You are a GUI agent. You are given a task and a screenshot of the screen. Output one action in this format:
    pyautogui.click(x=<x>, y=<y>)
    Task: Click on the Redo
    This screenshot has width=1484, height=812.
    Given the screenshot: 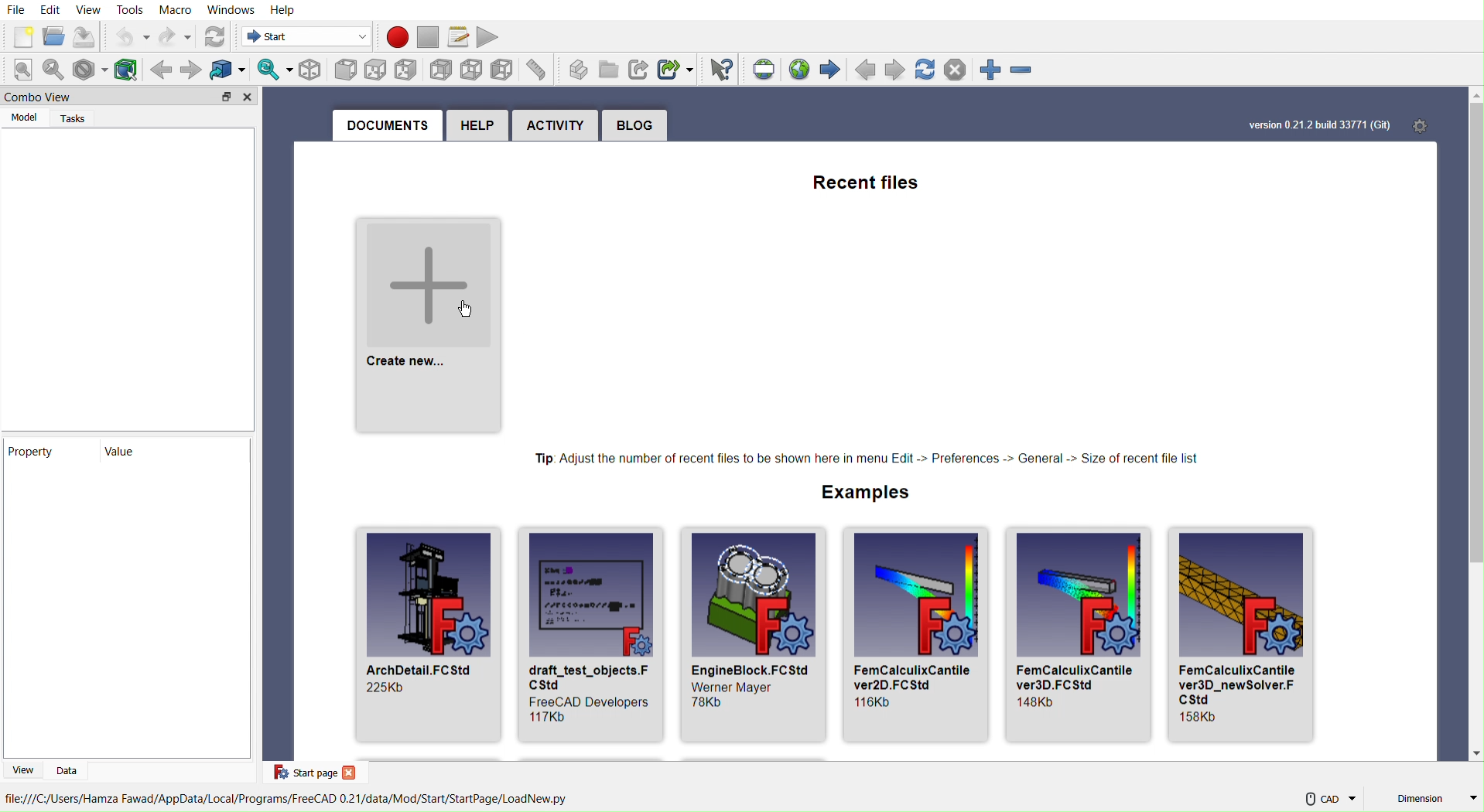 What is the action you would take?
    pyautogui.click(x=176, y=36)
    